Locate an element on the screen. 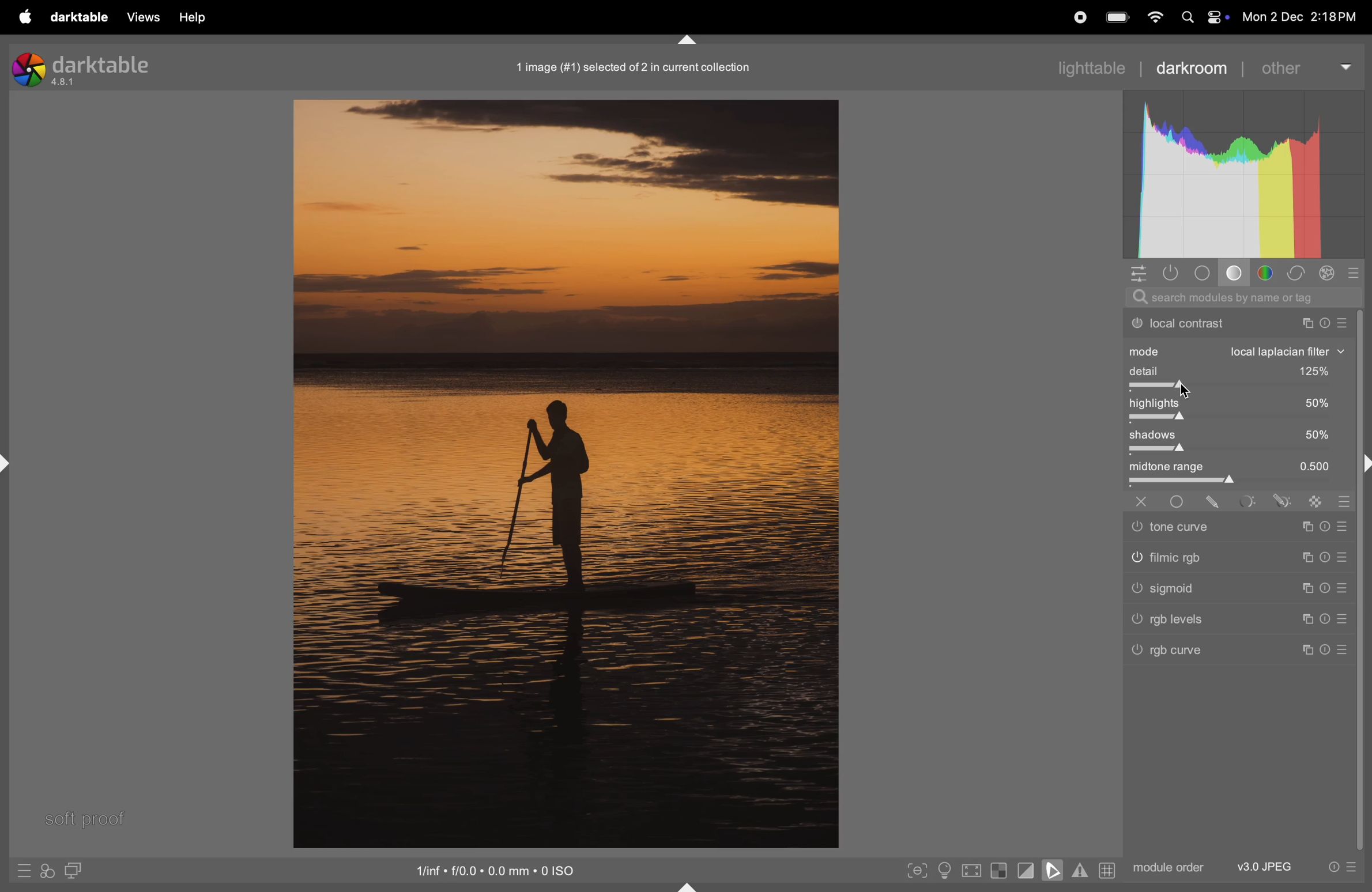 The width and height of the screenshot is (1372, 892). sign is located at coordinates (1310, 556).